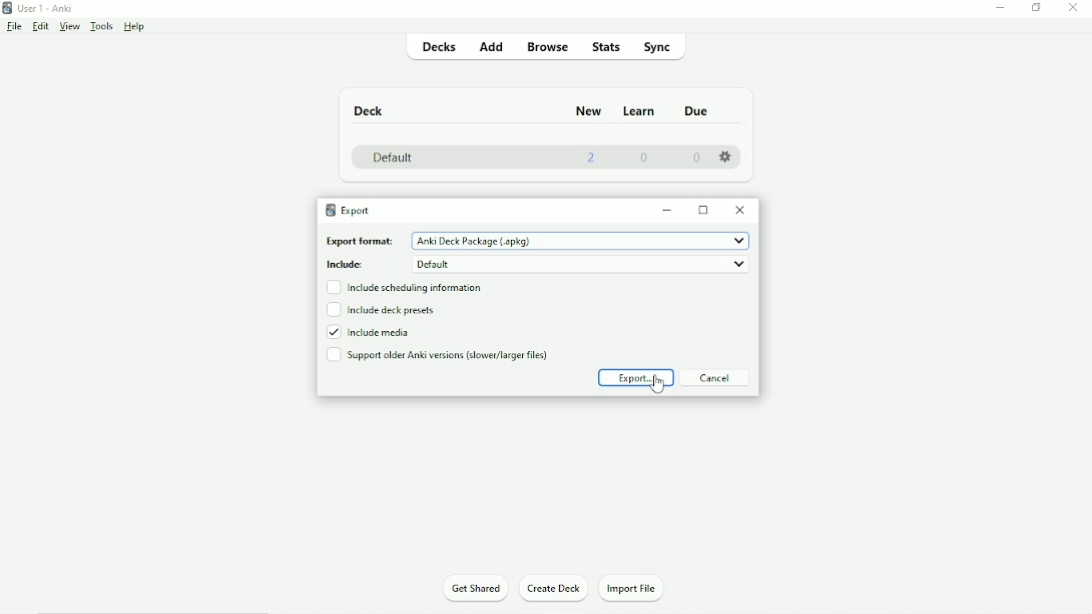 The height and width of the screenshot is (614, 1092). Describe the element at coordinates (544, 46) in the screenshot. I see `Browse` at that location.